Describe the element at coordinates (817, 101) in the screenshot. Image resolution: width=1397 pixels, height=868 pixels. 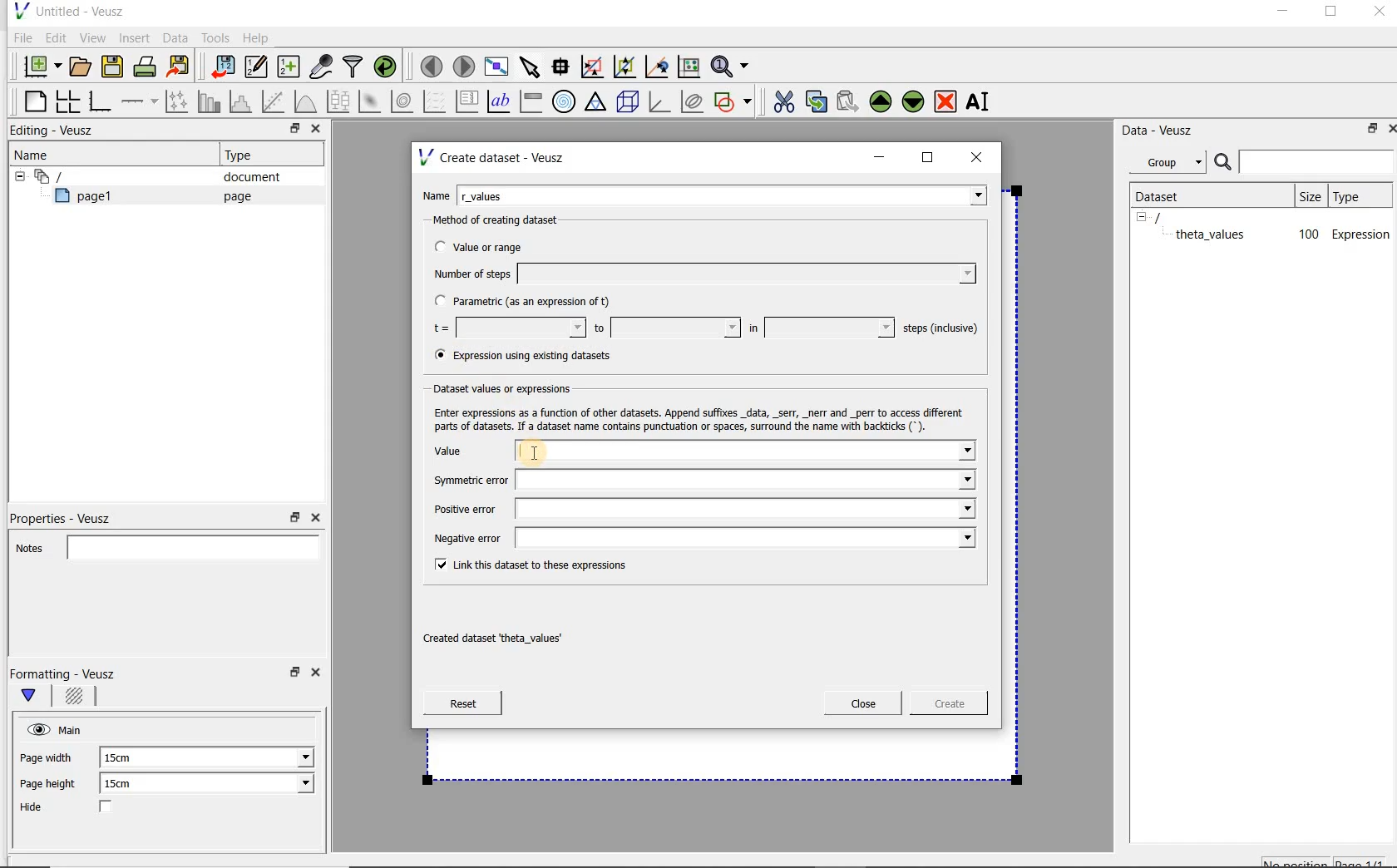
I see `copy the selected widget` at that location.